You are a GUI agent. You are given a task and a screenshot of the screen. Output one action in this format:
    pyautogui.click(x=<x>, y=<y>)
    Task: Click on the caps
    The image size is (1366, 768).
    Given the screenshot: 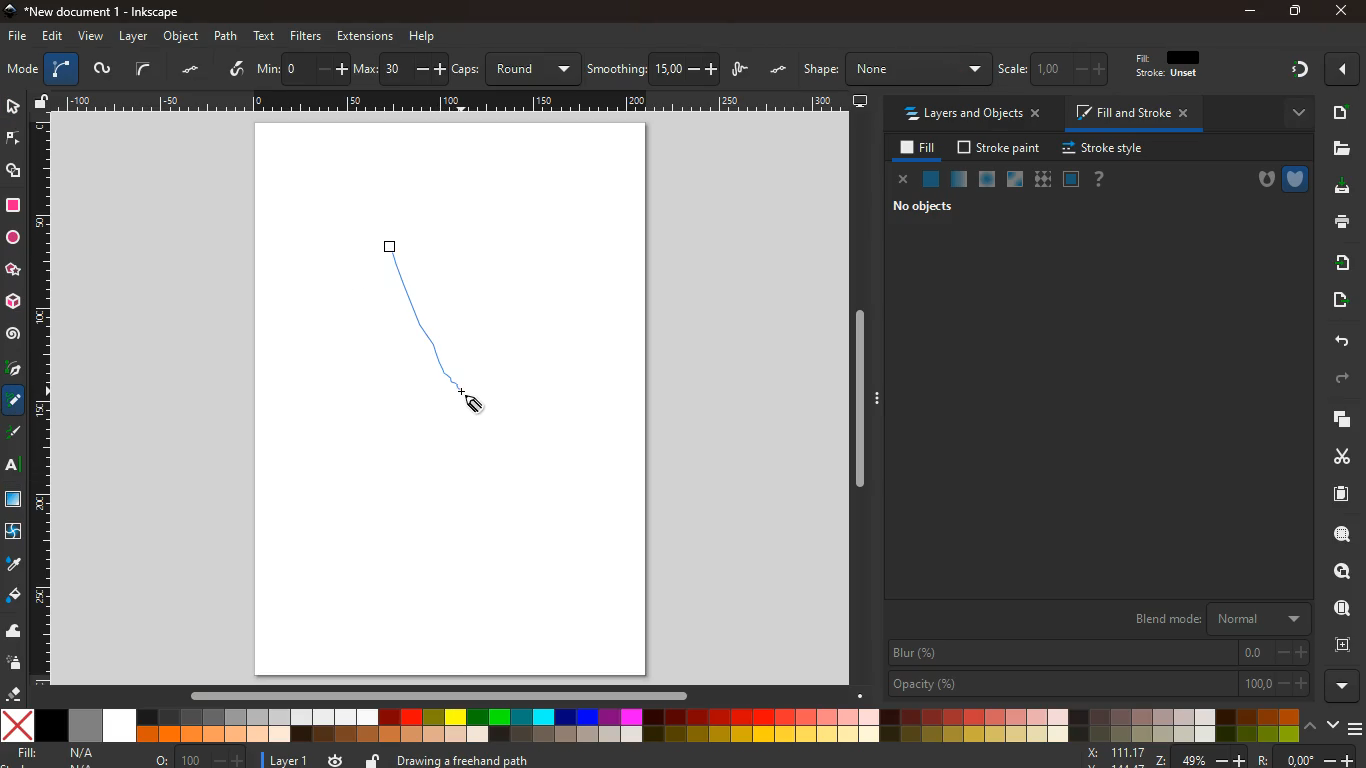 What is the action you would take?
    pyautogui.click(x=517, y=69)
    